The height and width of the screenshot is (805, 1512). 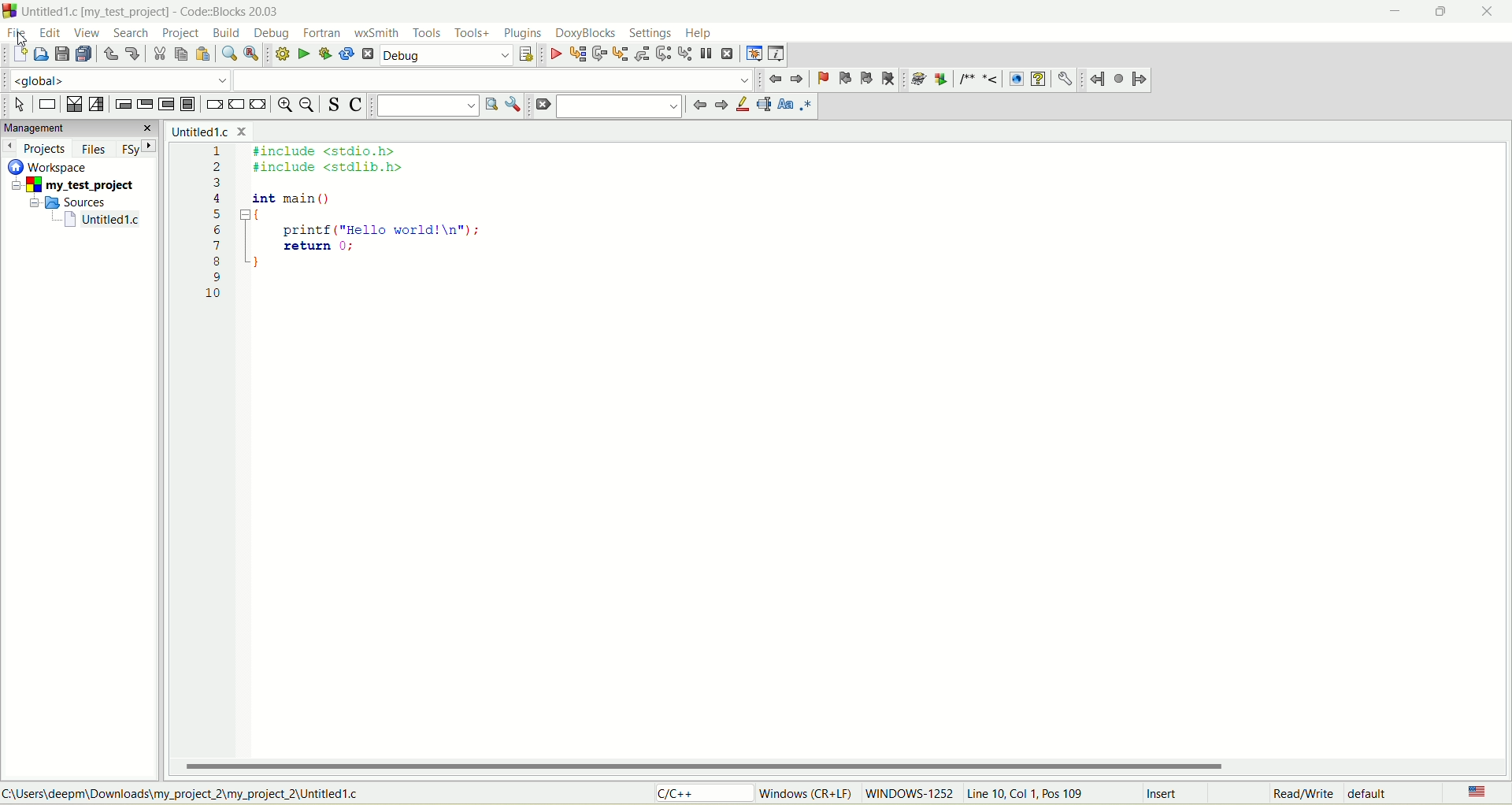 What do you see at coordinates (523, 33) in the screenshot?
I see `plugins` at bounding box center [523, 33].